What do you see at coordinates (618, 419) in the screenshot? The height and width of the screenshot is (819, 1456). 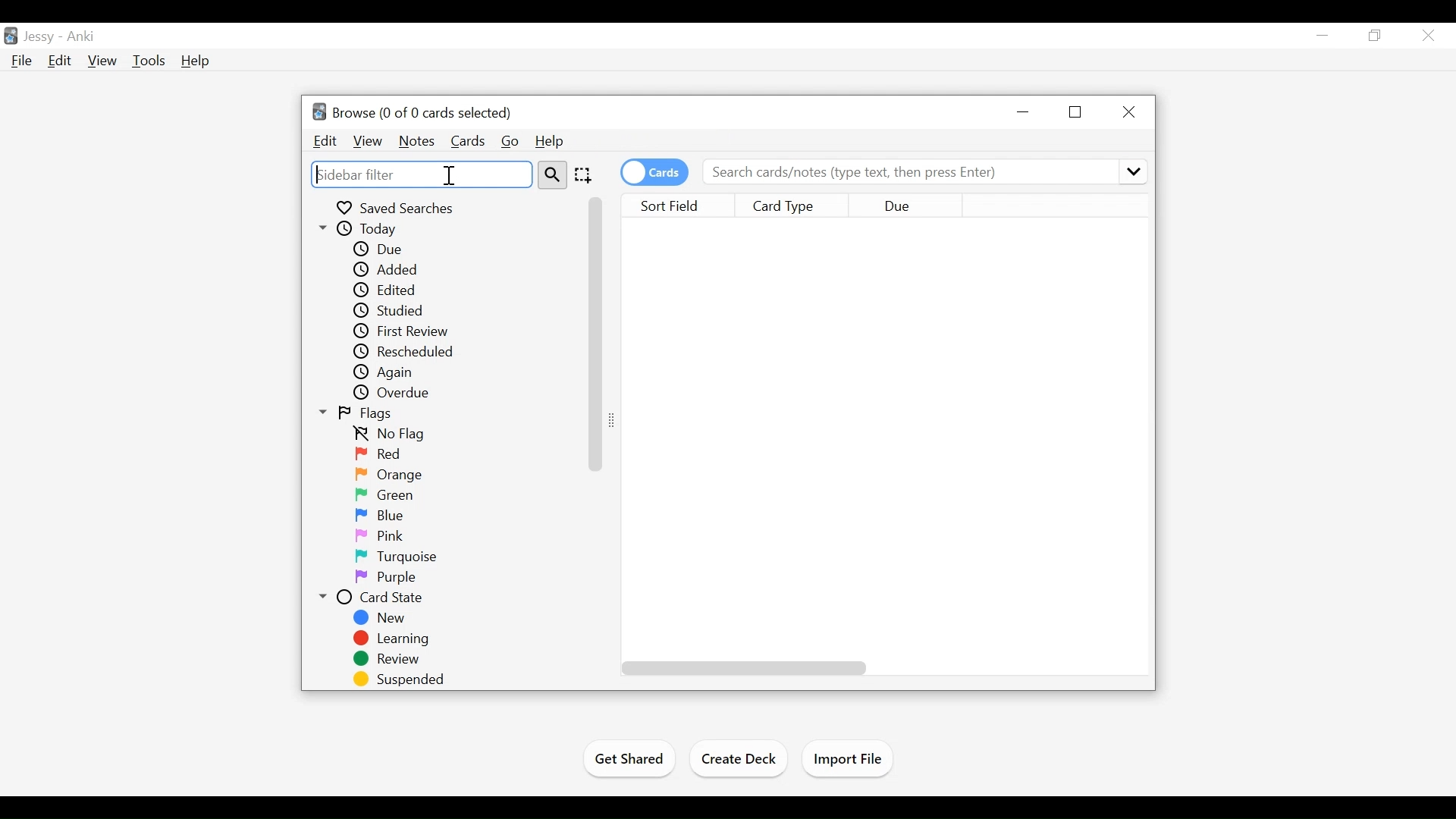 I see `Resize` at bounding box center [618, 419].